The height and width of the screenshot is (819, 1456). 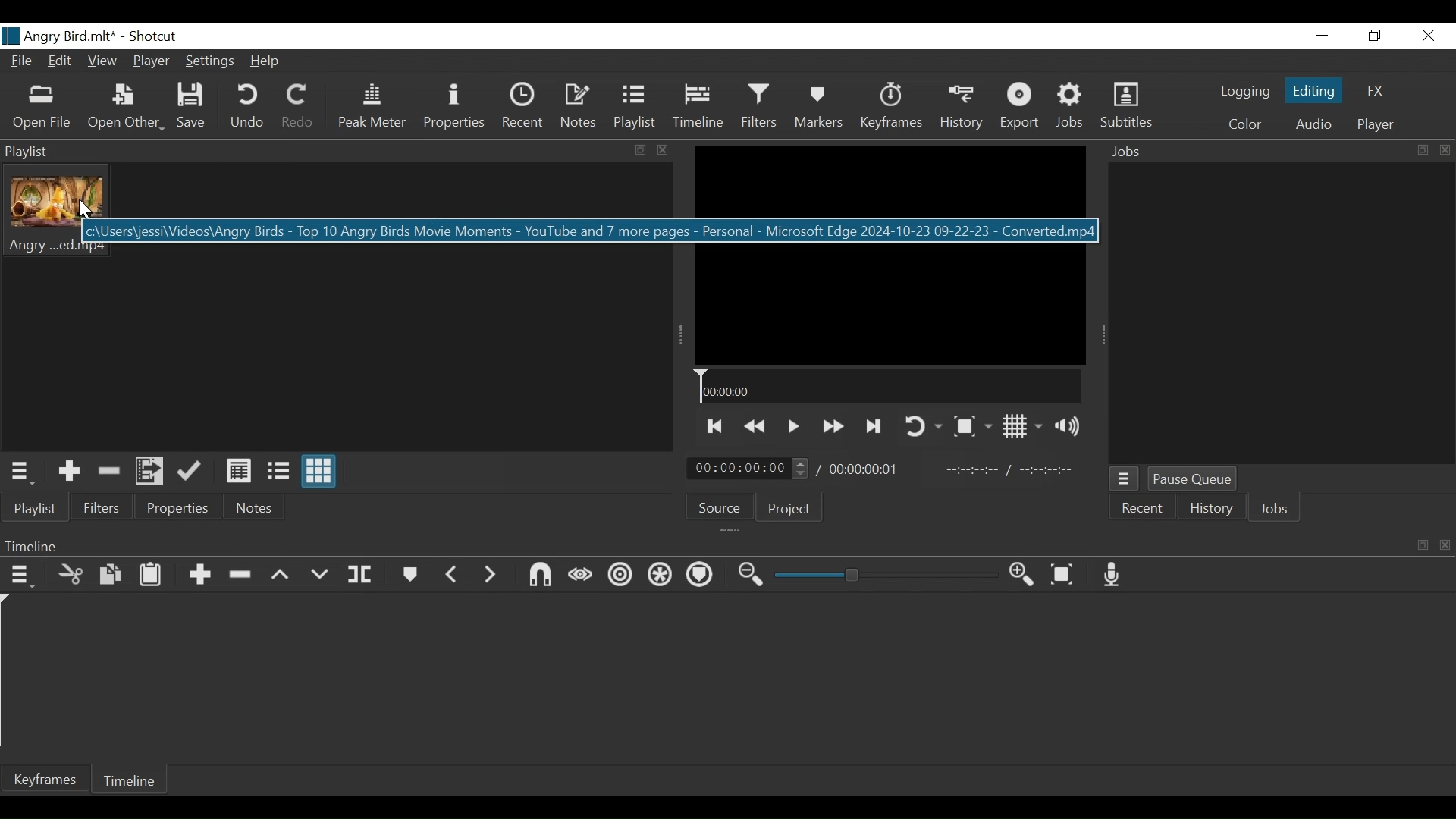 What do you see at coordinates (409, 574) in the screenshot?
I see `markers` at bounding box center [409, 574].